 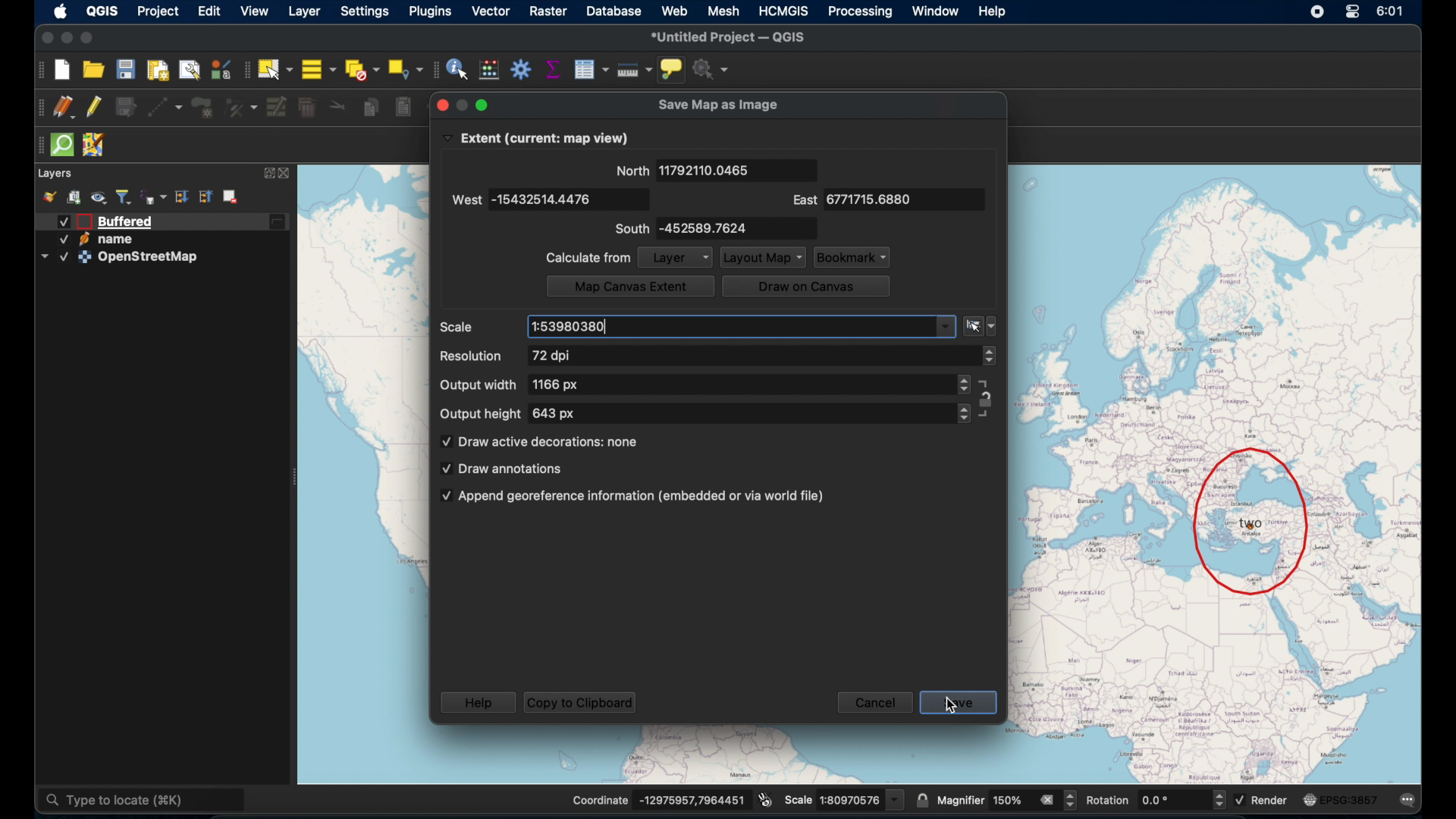 I want to click on help, so click(x=994, y=14).